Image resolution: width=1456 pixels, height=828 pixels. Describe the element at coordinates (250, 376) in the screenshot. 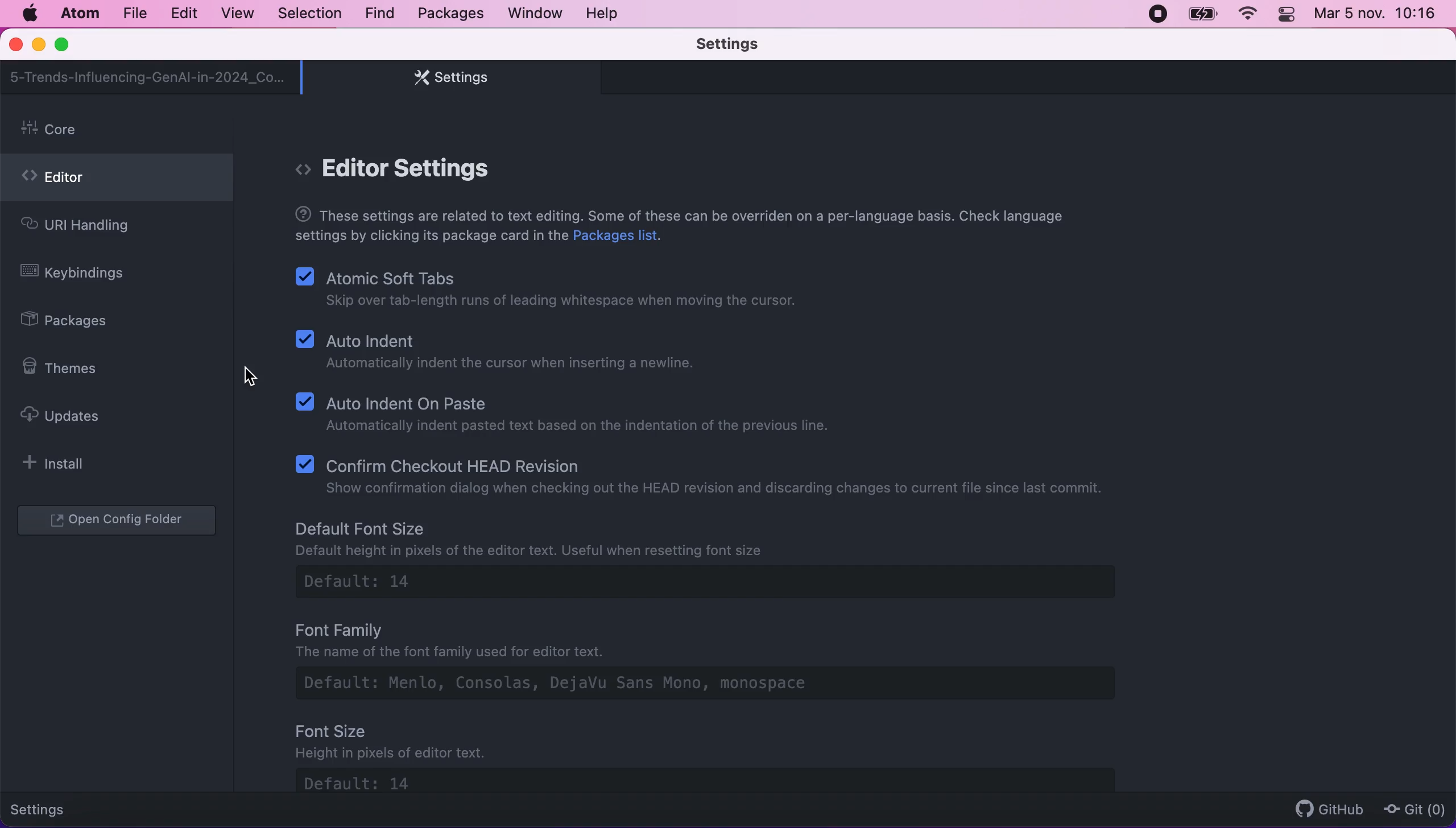

I see `cursor` at that location.